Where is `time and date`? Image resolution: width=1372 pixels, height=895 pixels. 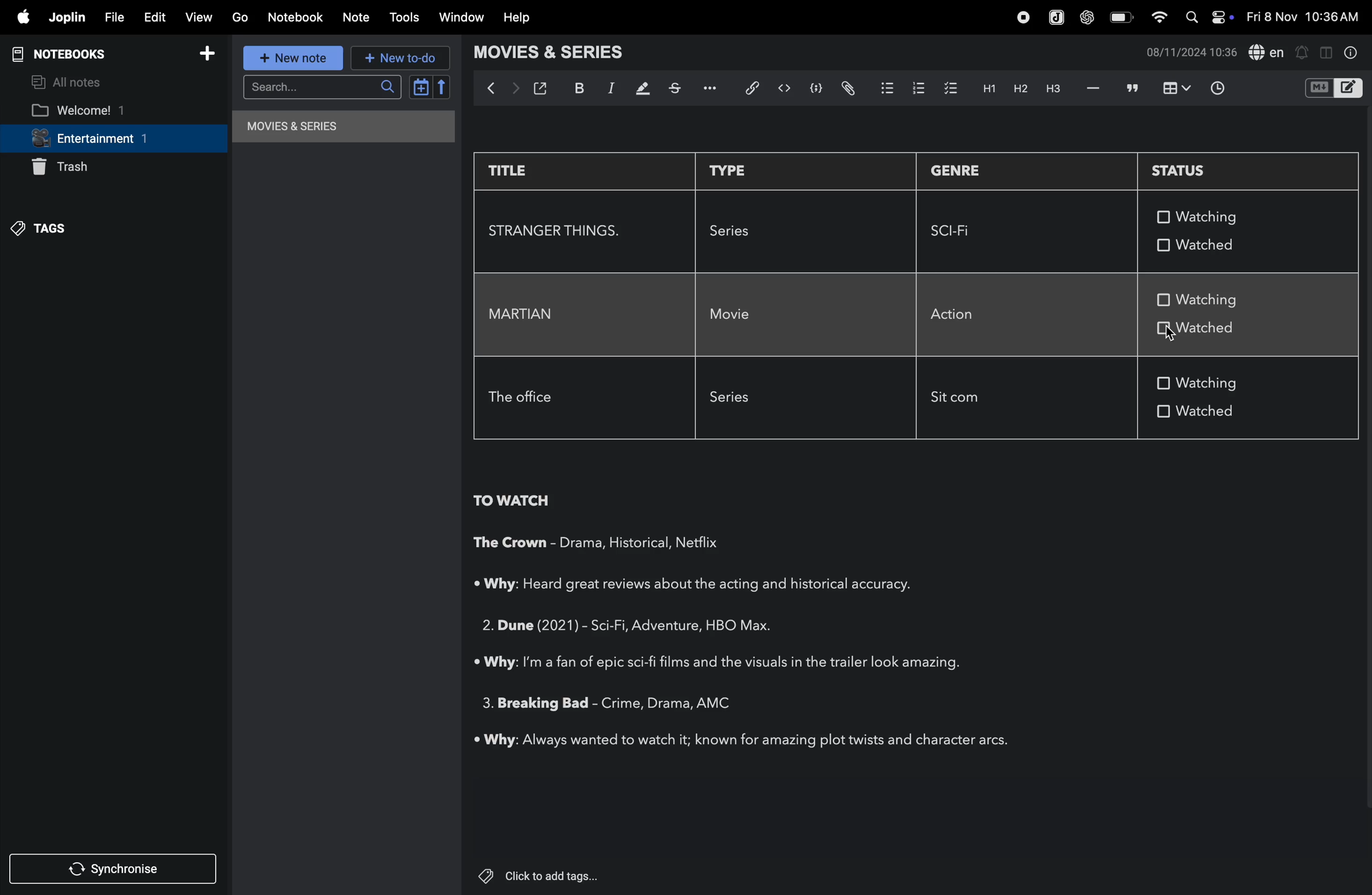 time and date is located at coordinates (1188, 52).